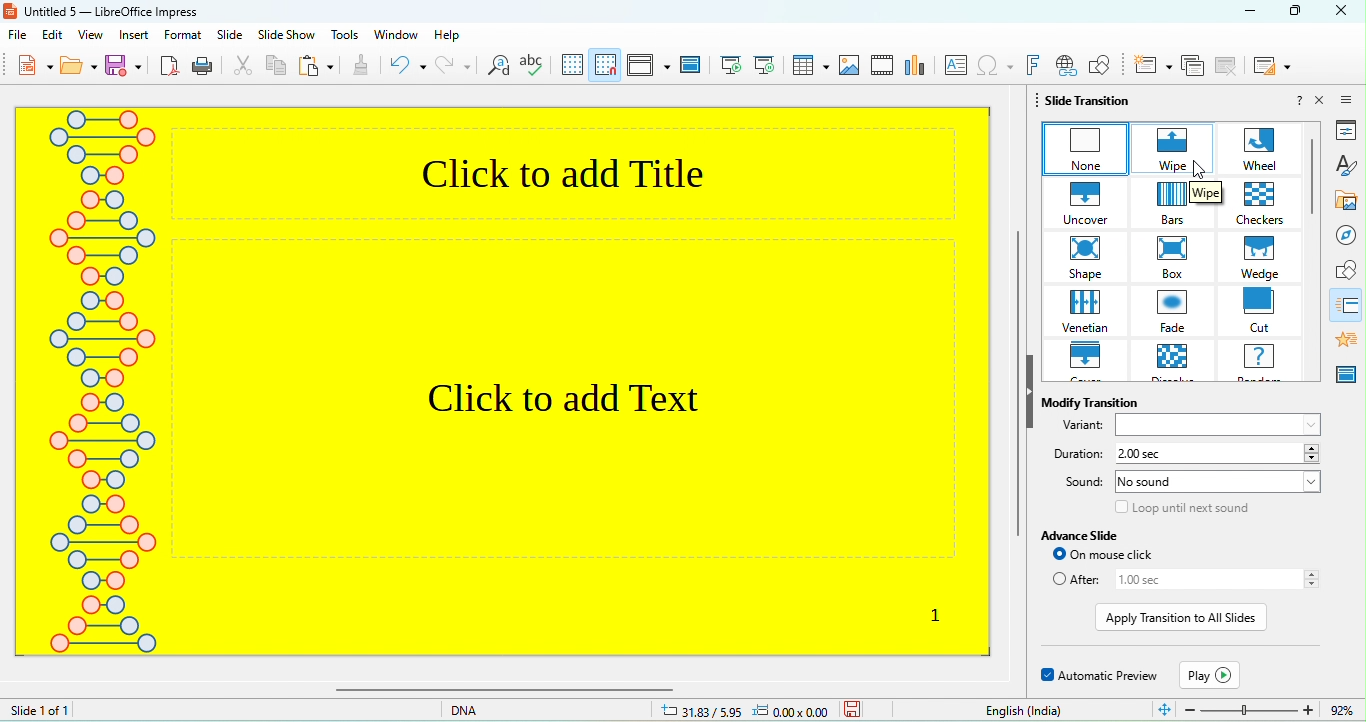 Image resolution: width=1366 pixels, height=722 pixels. What do you see at coordinates (1087, 535) in the screenshot?
I see `advanced slide` at bounding box center [1087, 535].